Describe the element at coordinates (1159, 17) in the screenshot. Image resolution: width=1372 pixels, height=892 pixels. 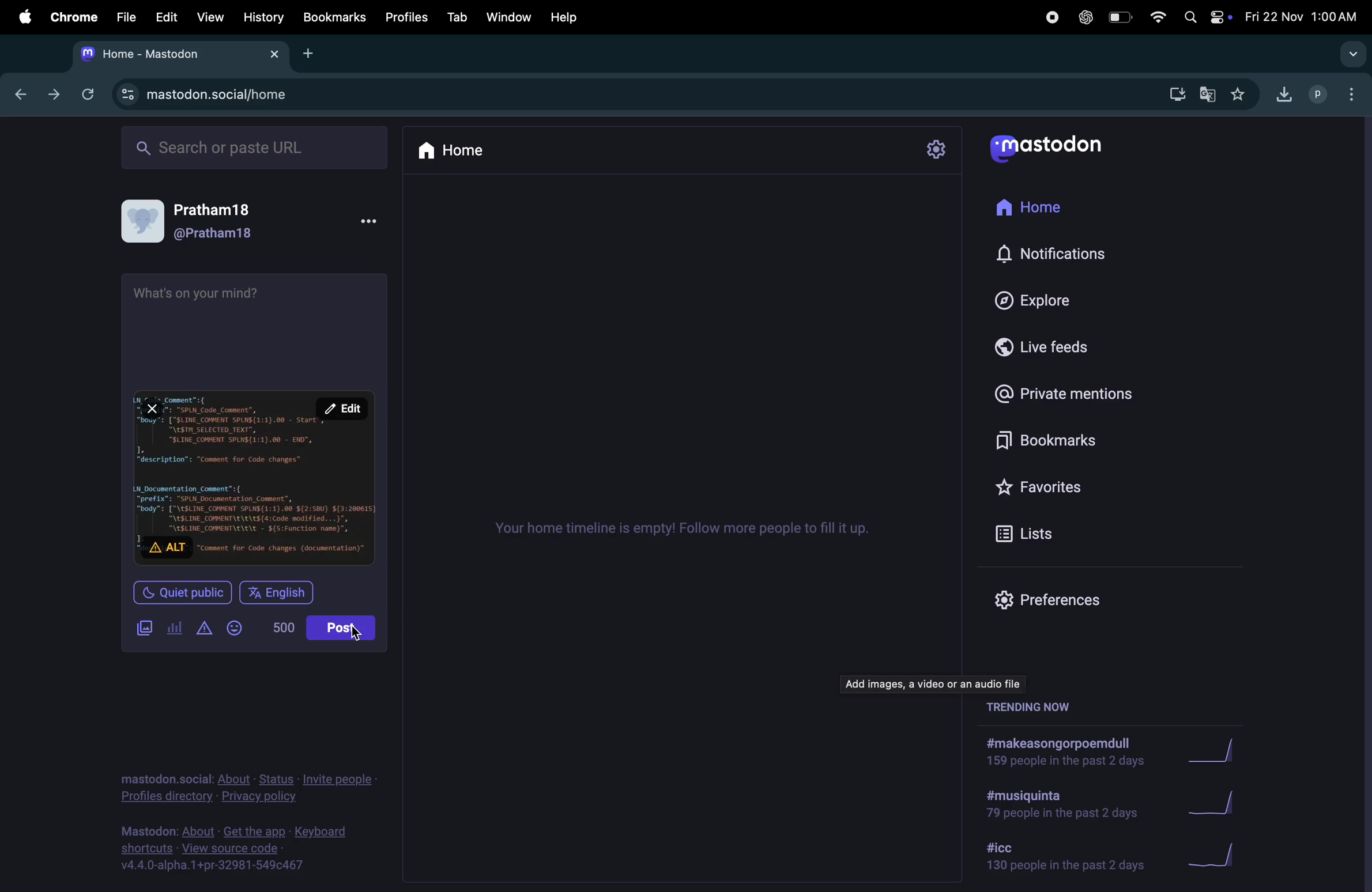
I see `wifi` at that location.